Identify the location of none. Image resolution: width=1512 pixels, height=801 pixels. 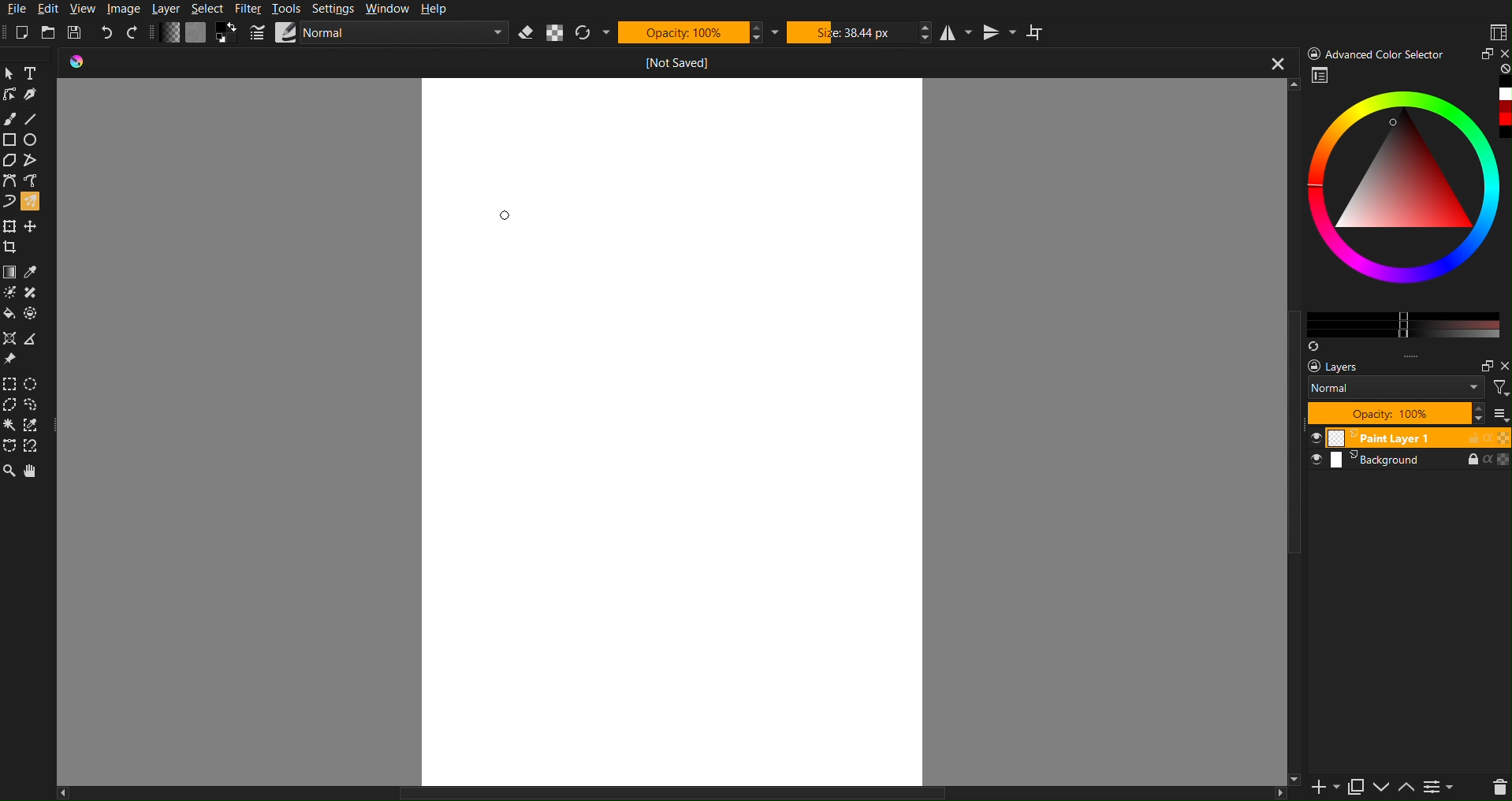
(1503, 69).